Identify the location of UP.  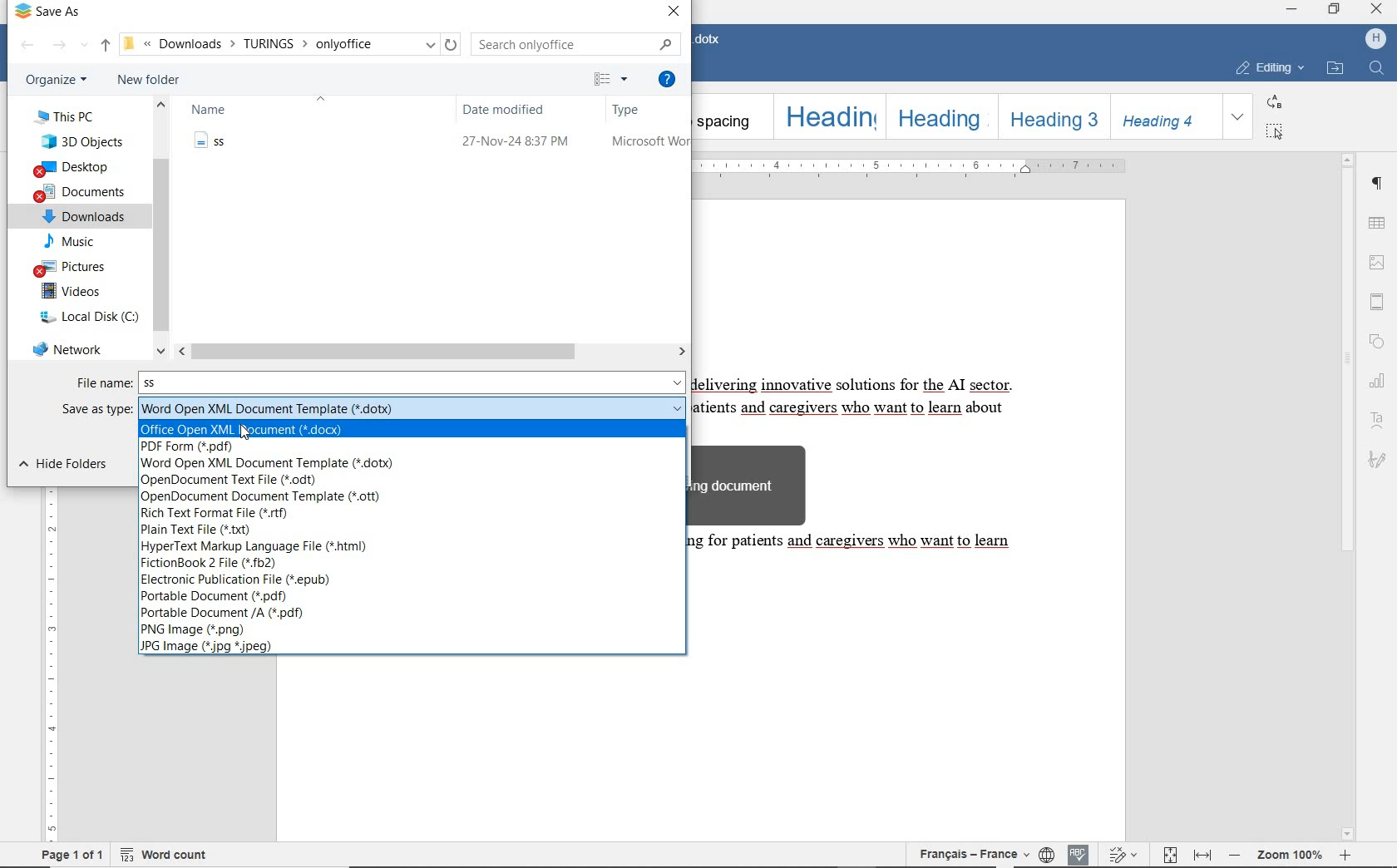
(106, 46).